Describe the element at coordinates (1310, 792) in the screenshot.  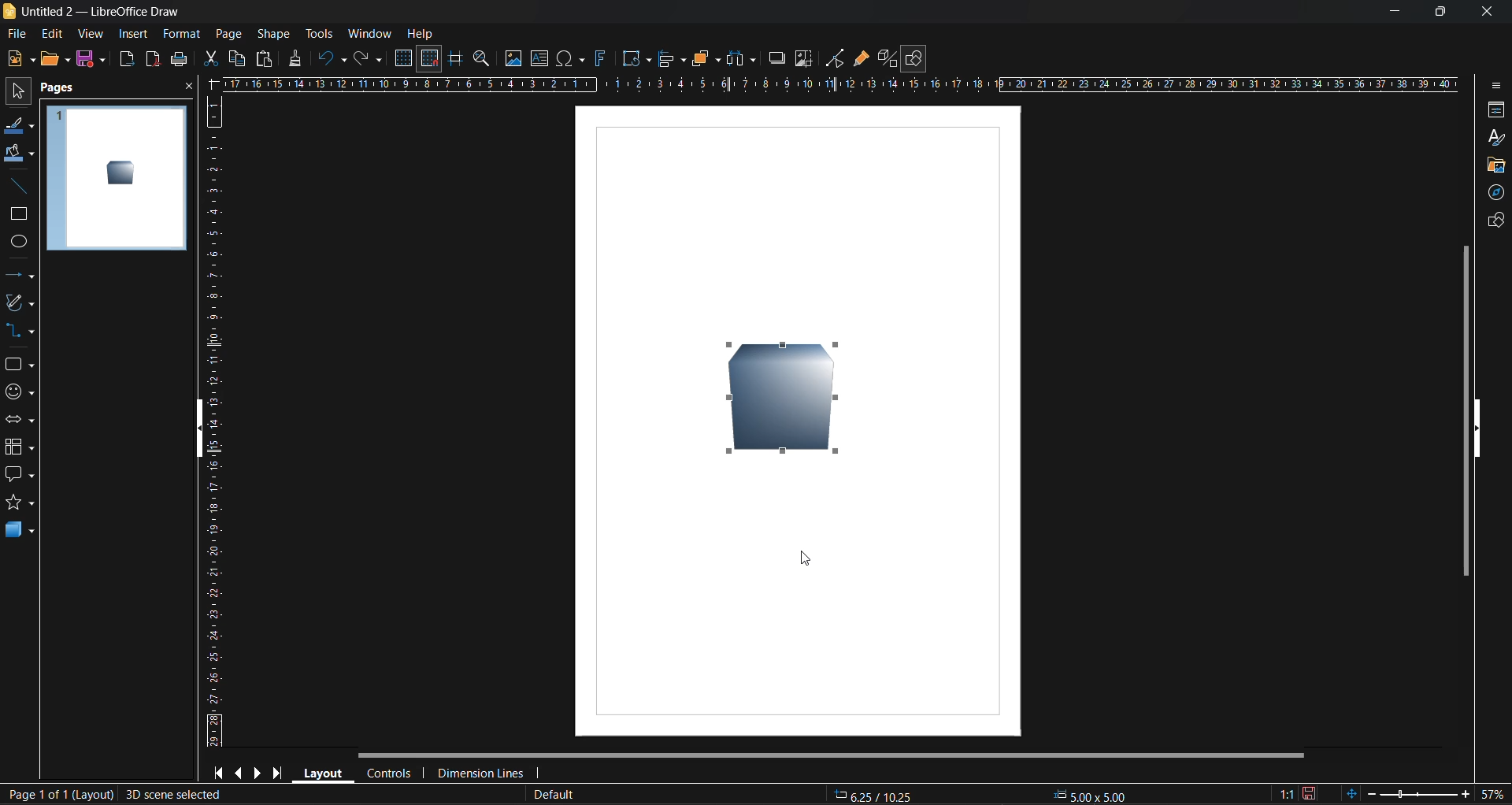
I see `click to save` at that location.